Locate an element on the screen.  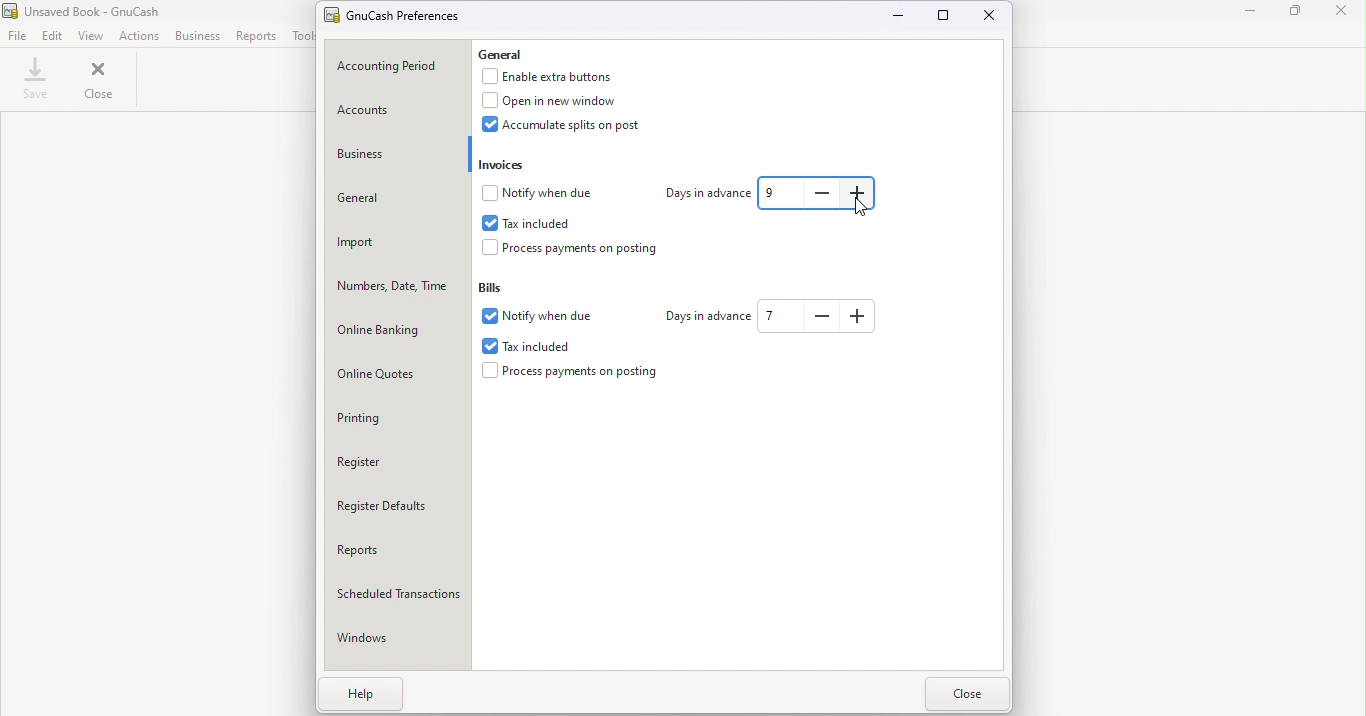
how many days in the future to warn about invoices coming due is located at coordinates (825, 193).